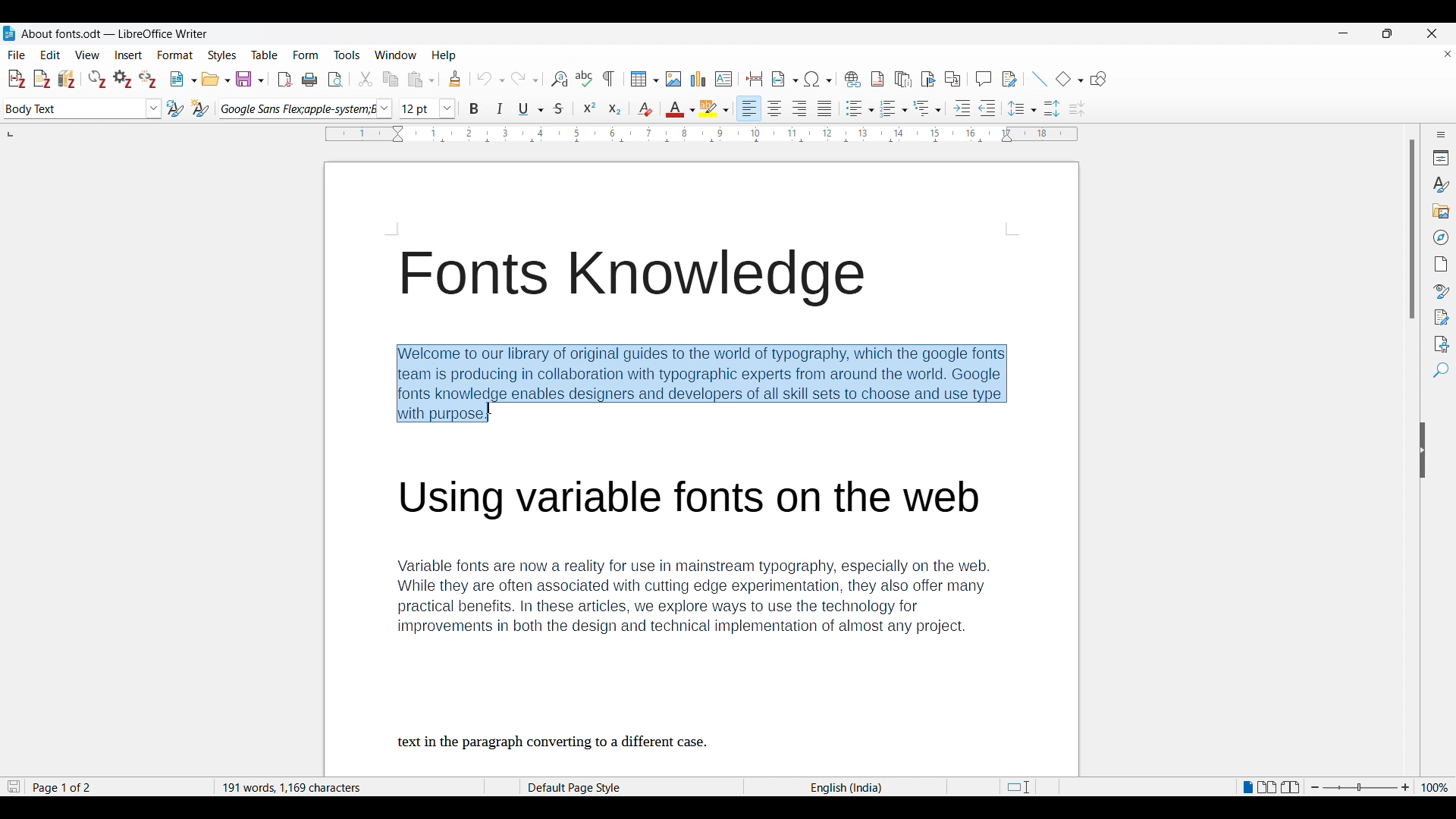  What do you see at coordinates (987, 108) in the screenshot?
I see `Decrease indent` at bounding box center [987, 108].